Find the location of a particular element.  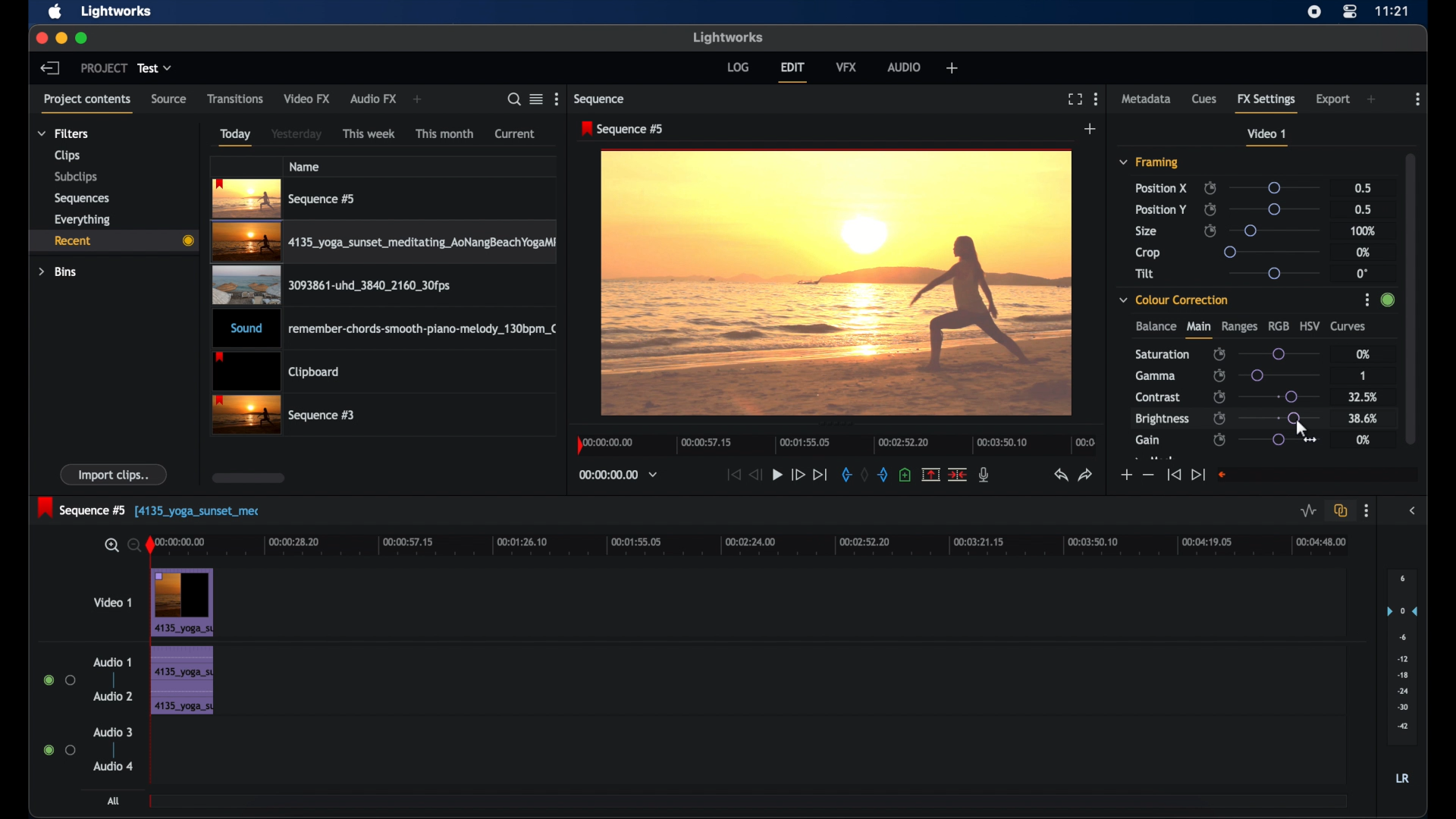

slider is located at coordinates (1278, 354).